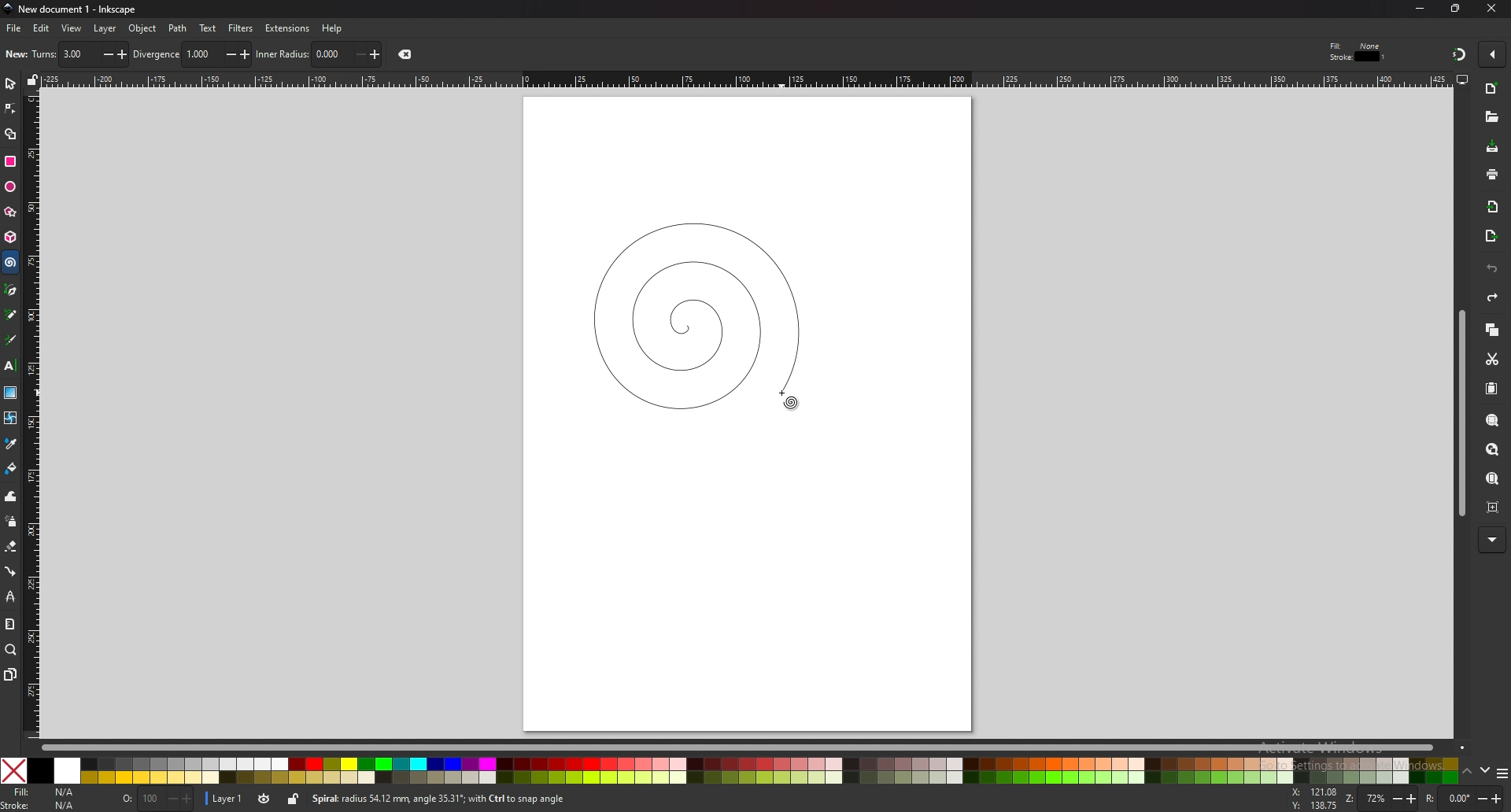  What do you see at coordinates (10, 212) in the screenshot?
I see `star polygon` at bounding box center [10, 212].